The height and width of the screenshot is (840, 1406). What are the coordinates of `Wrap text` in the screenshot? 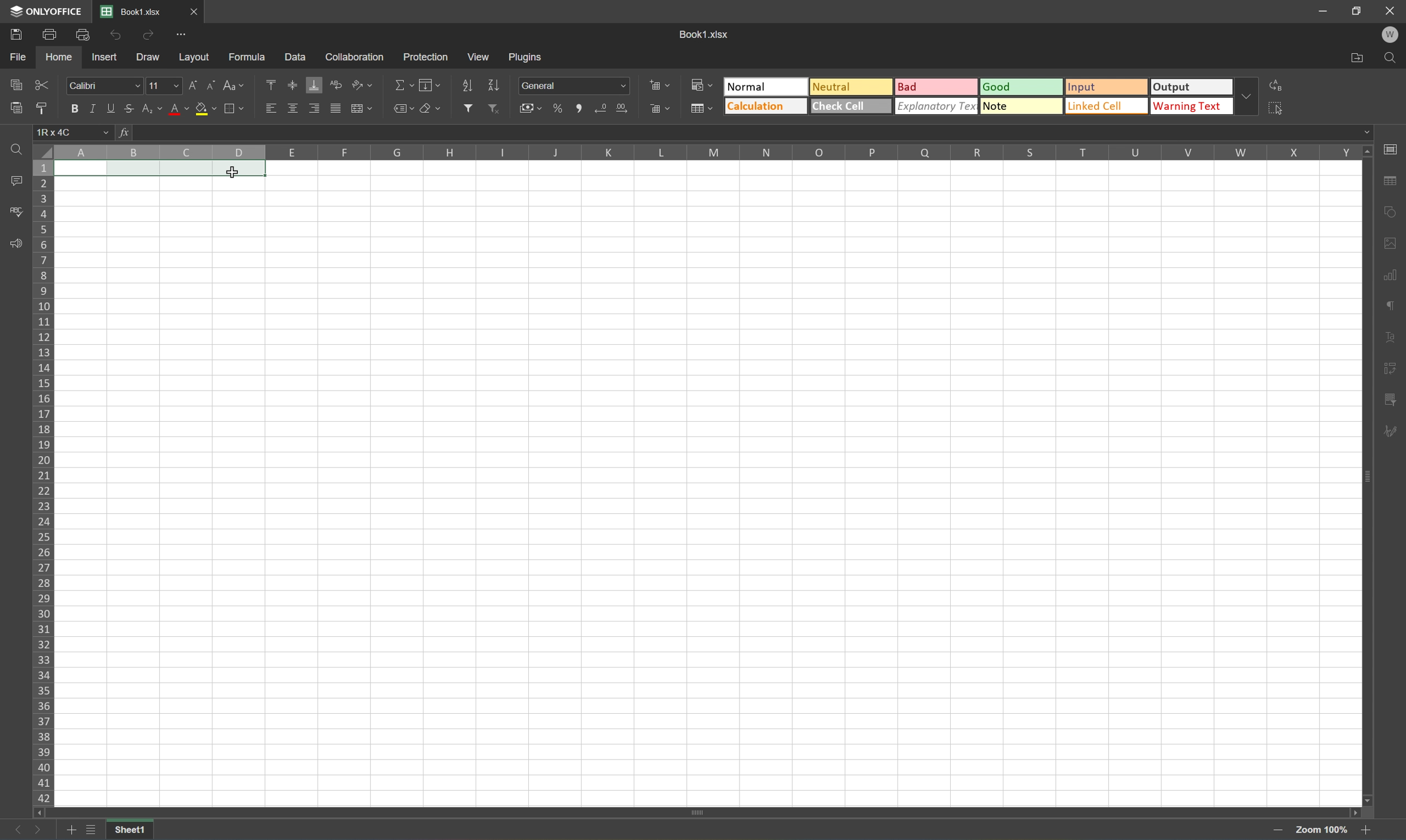 It's located at (335, 85).